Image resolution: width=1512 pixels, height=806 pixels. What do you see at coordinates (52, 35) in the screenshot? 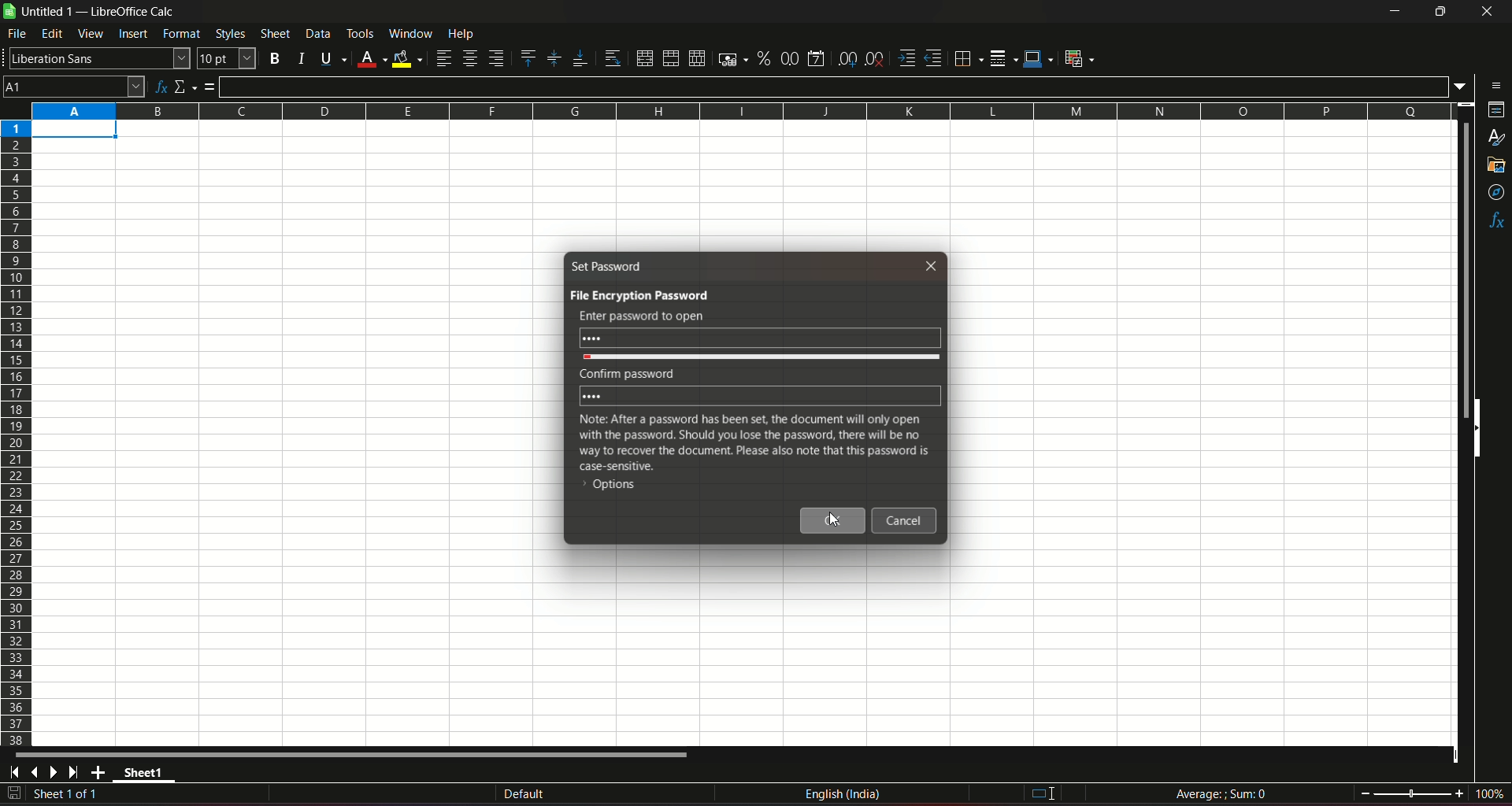
I see `edit` at bounding box center [52, 35].